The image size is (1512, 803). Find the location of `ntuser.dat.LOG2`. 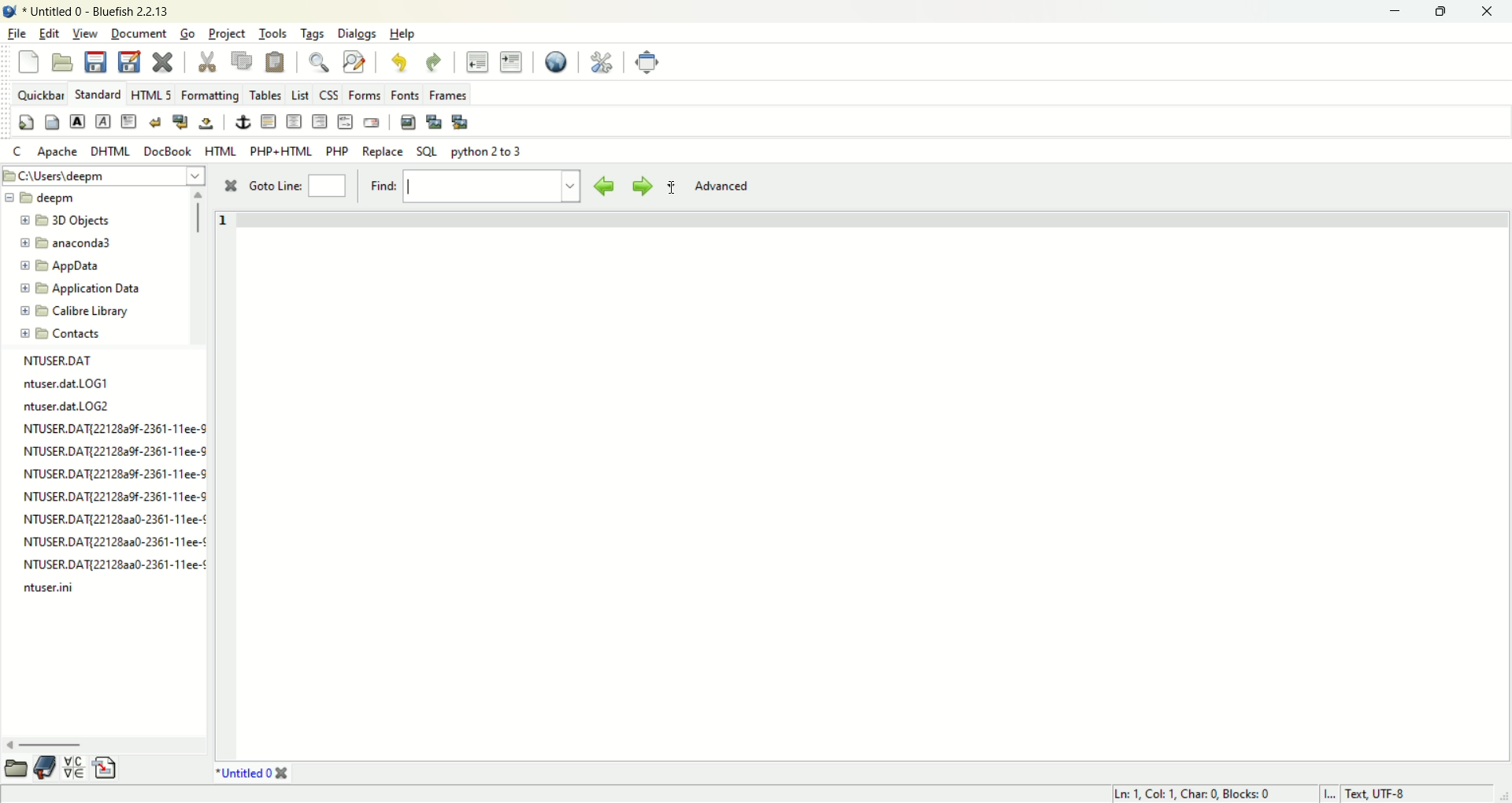

ntuser.dat.LOG2 is located at coordinates (67, 407).